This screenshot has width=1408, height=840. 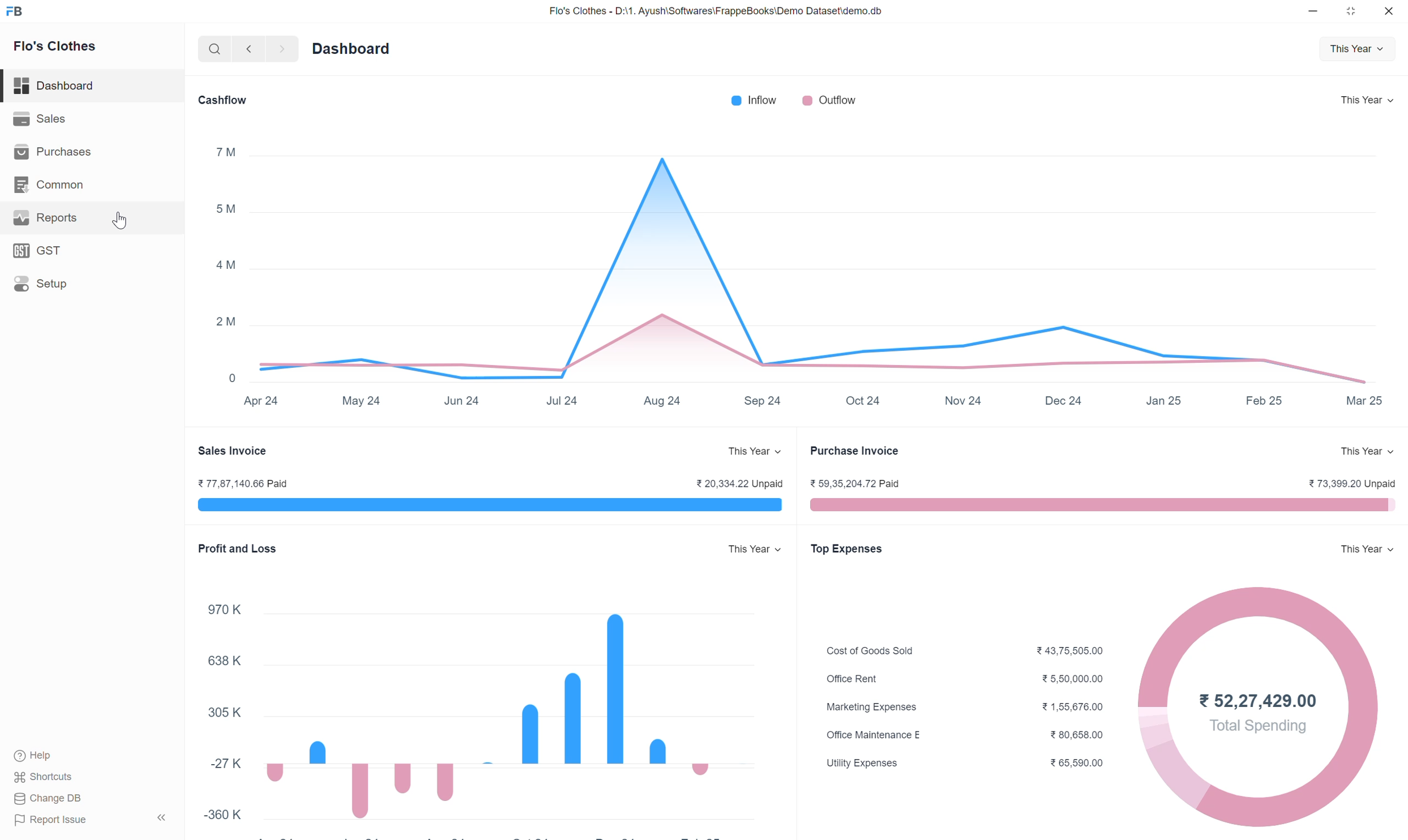 What do you see at coordinates (41, 752) in the screenshot?
I see `? Help` at bounding box center [41, 752].